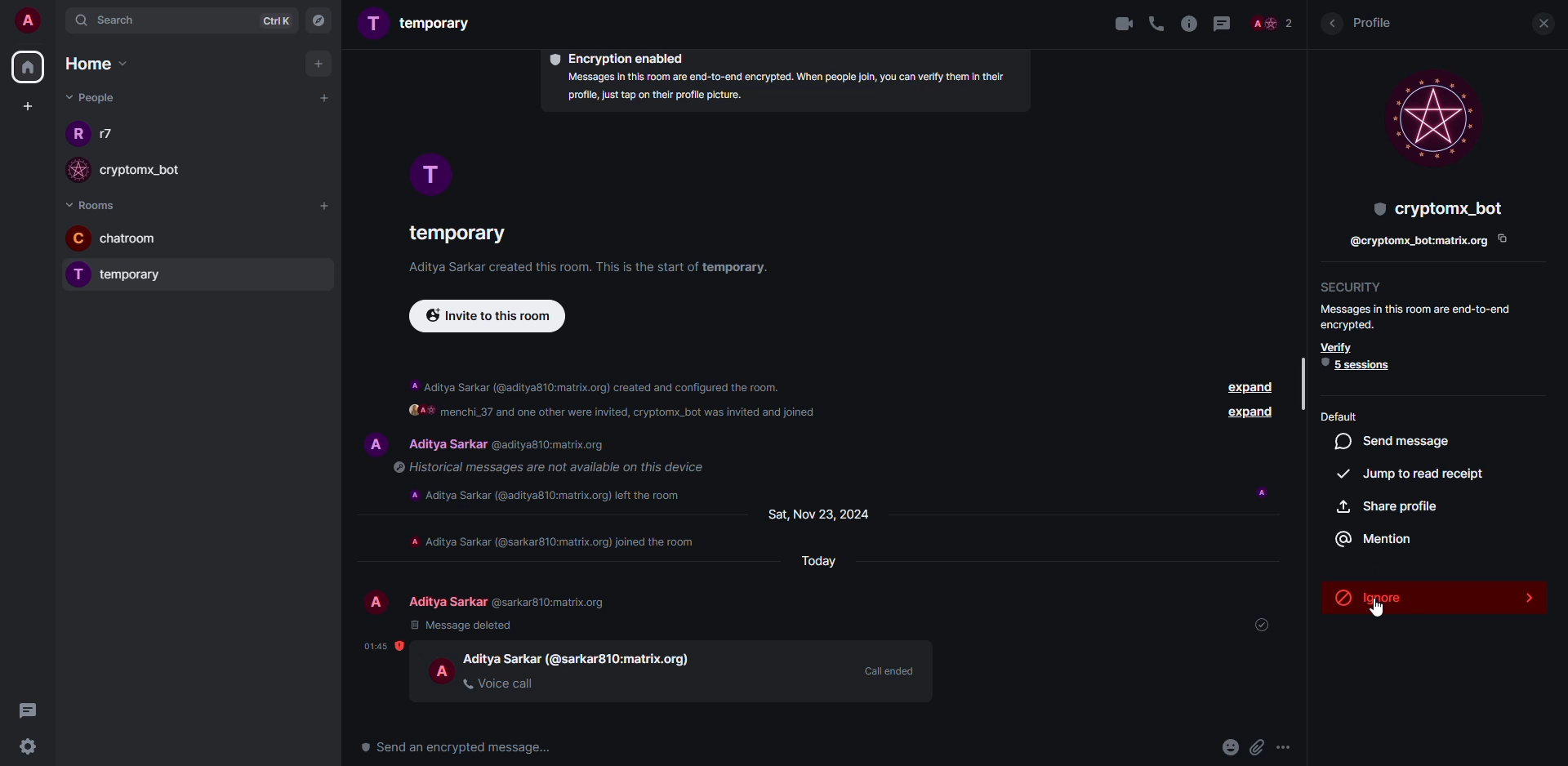 Image resolution: width=1568 pixels, height=766 pixels. What do you see at coordinates (32, 747) in the screenshot?
I see `settings` at bounding box center [32, 747].